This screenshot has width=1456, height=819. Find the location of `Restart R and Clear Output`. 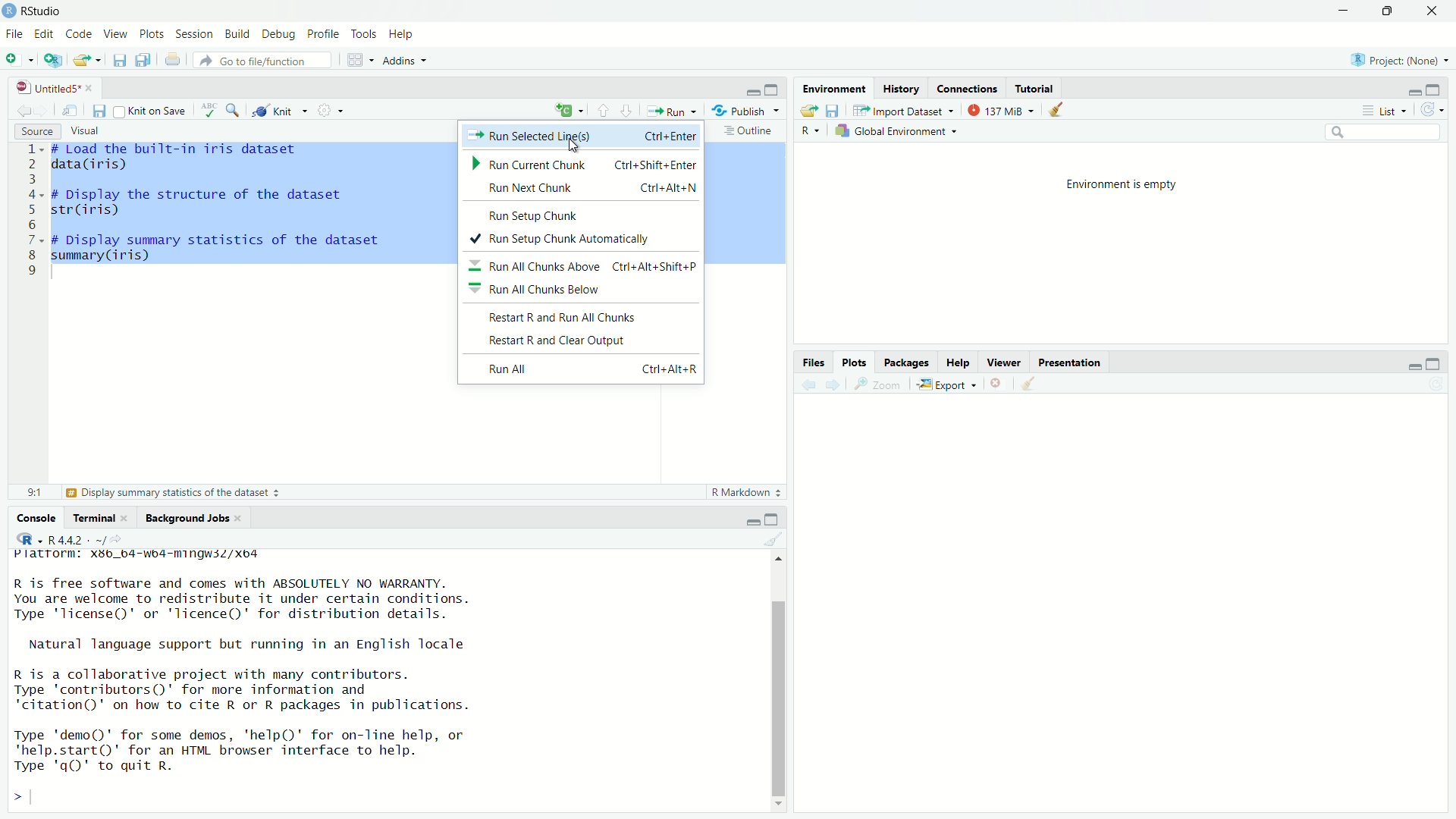

Restart R and Clear Output is located at coordinates (560, 340).